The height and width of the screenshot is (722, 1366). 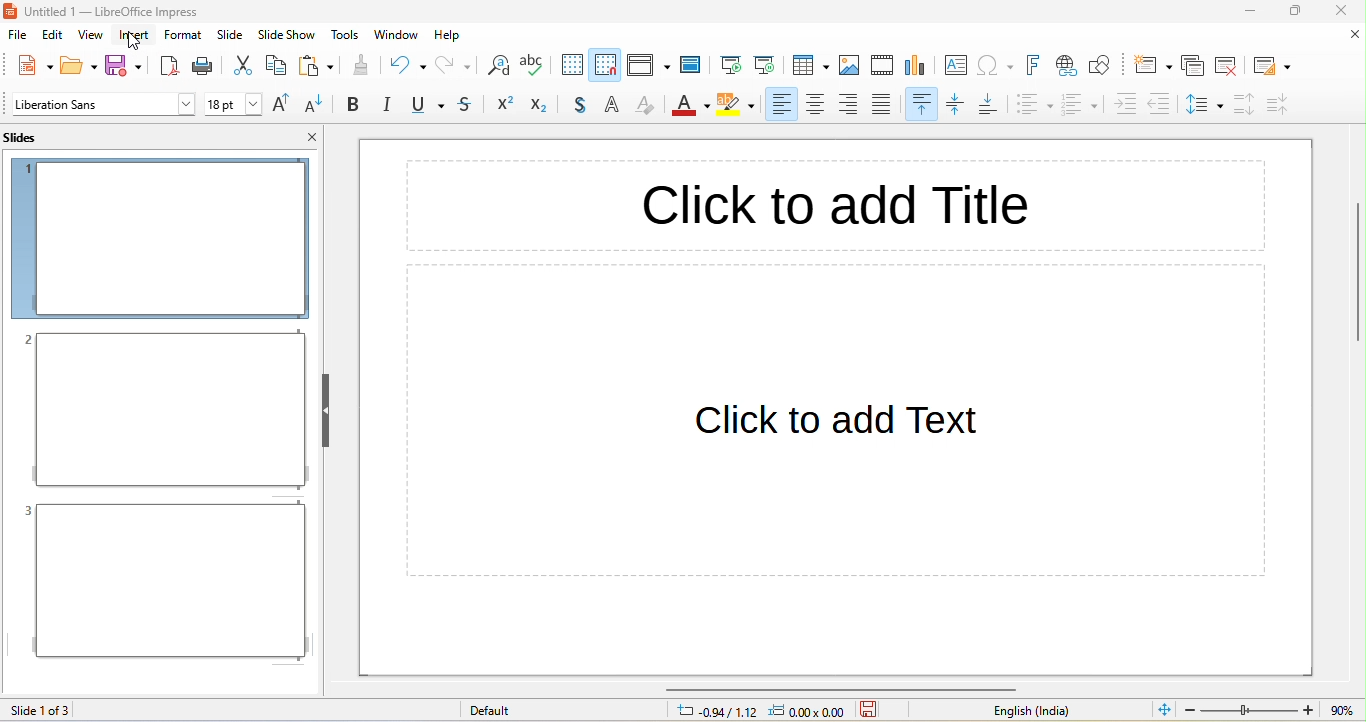 What do you see at coordinates (1340, 12) in the screenshot?
I see `close` at bounding box center [1340, 12].